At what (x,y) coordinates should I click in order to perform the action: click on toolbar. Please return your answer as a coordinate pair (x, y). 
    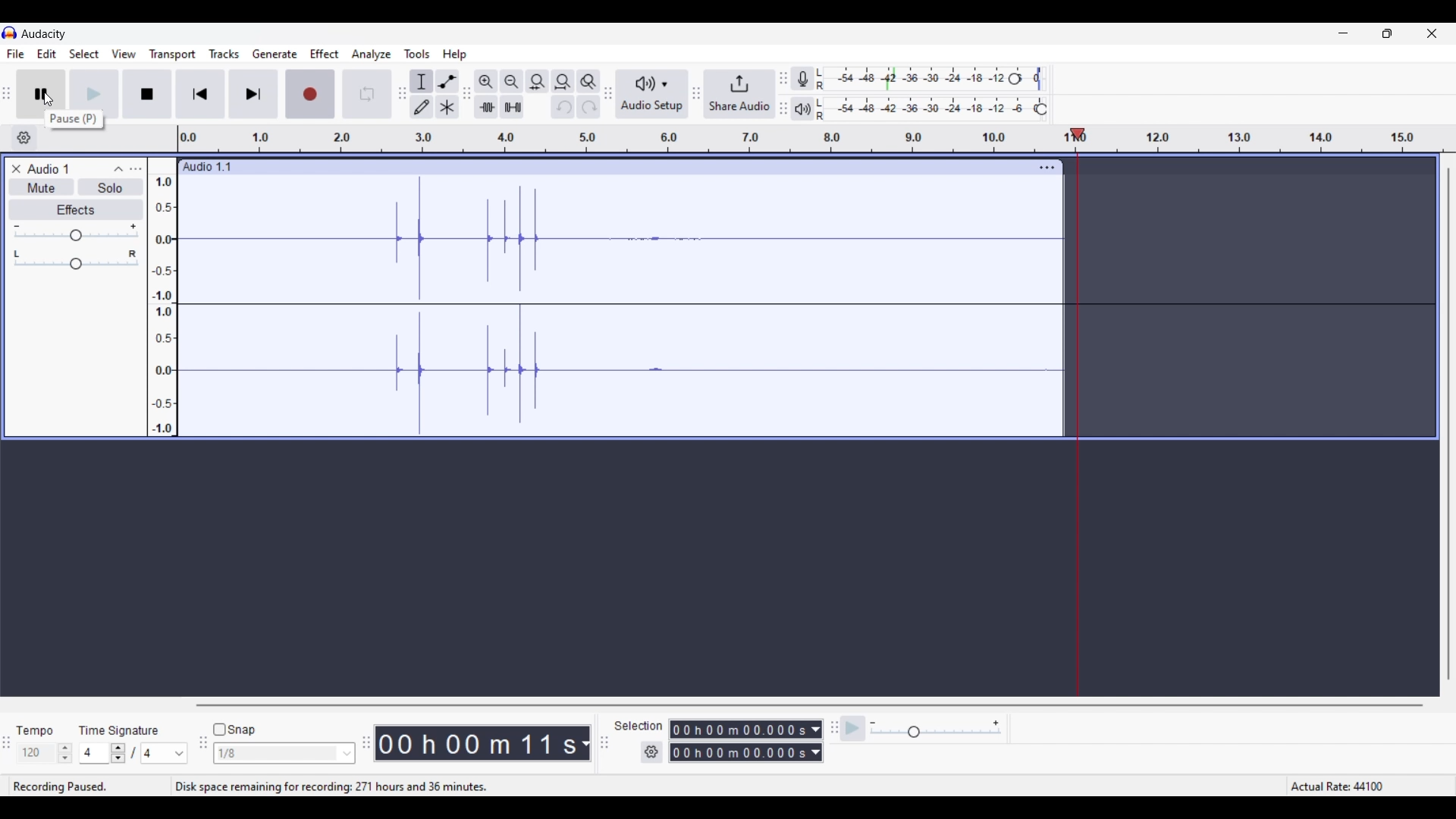
    Looking at the image, I should click on (466, 91).